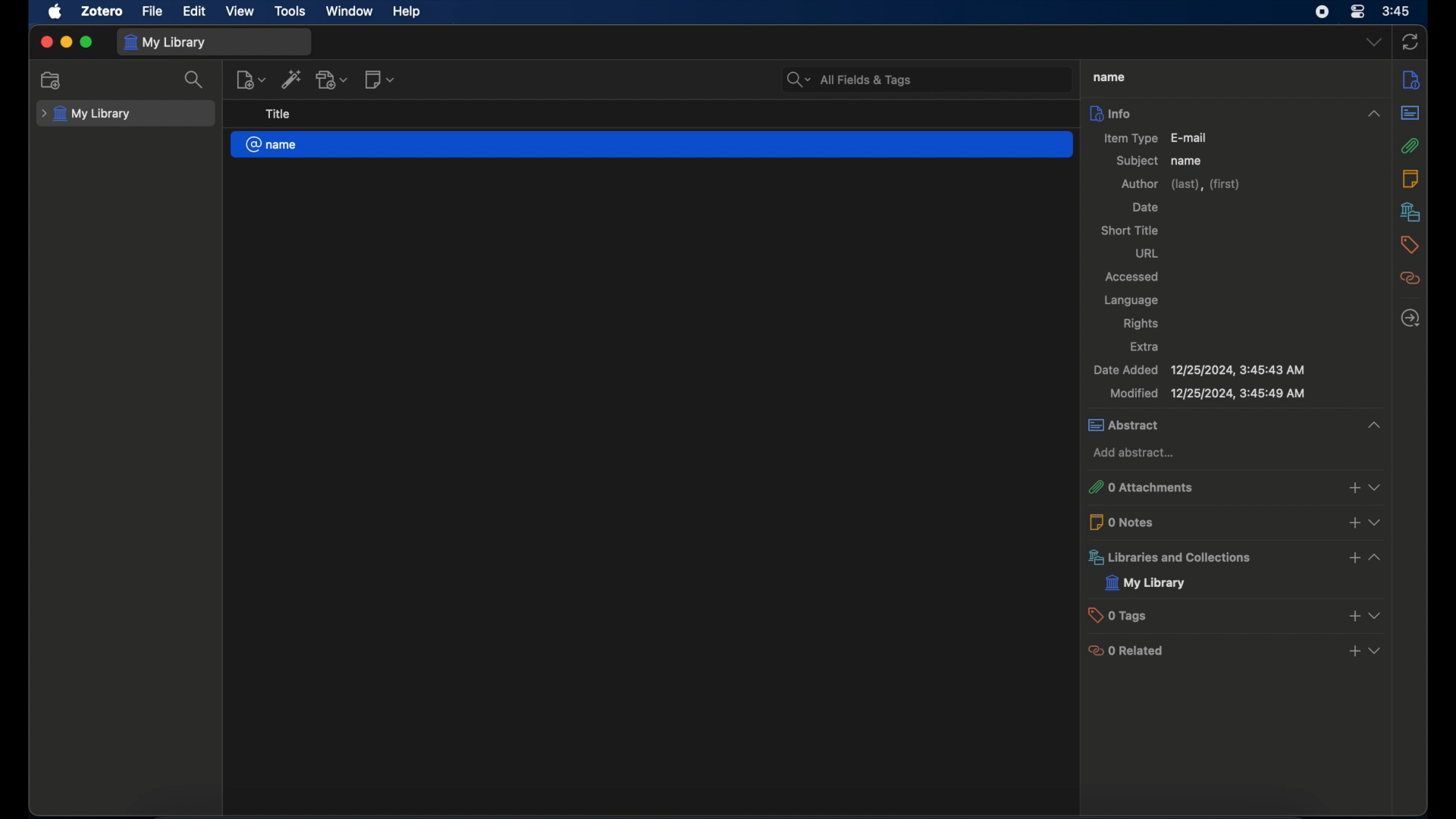 This screenshot has width=1456, height=819. I want to click on modified, so click(1207, 394).